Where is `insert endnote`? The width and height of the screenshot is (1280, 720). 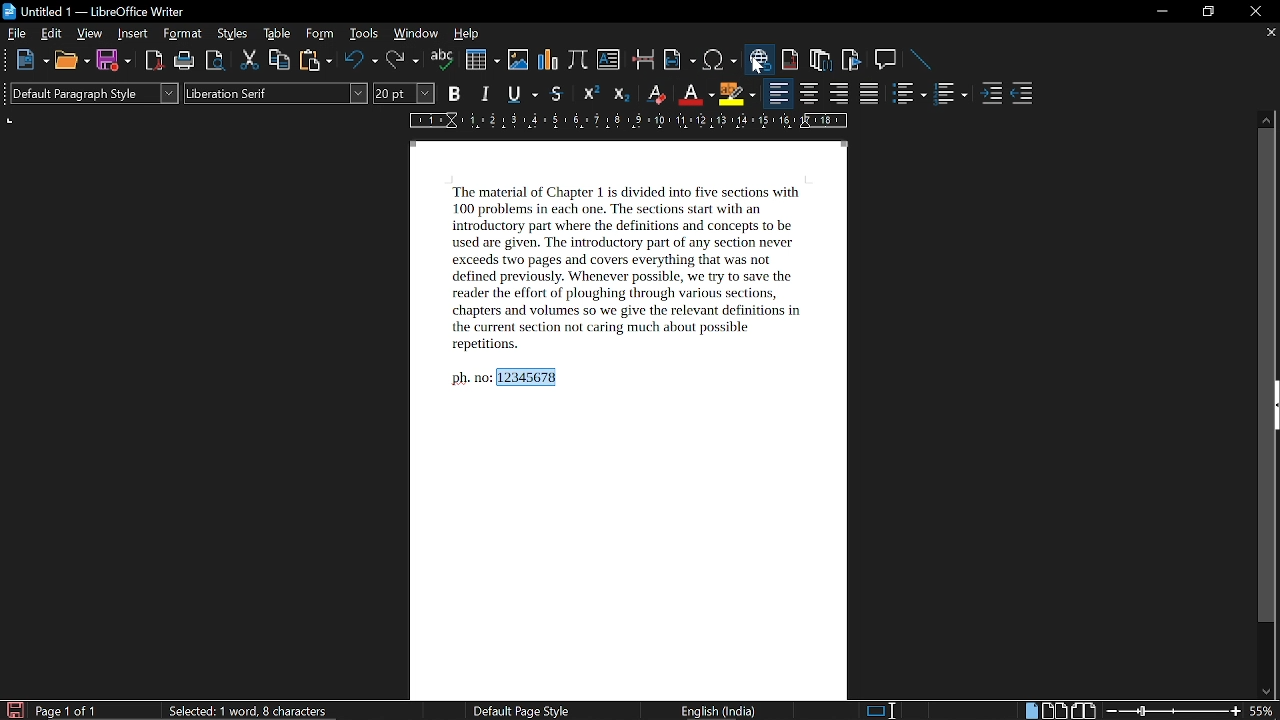 insert endnote is located at coordinates (822, 59).